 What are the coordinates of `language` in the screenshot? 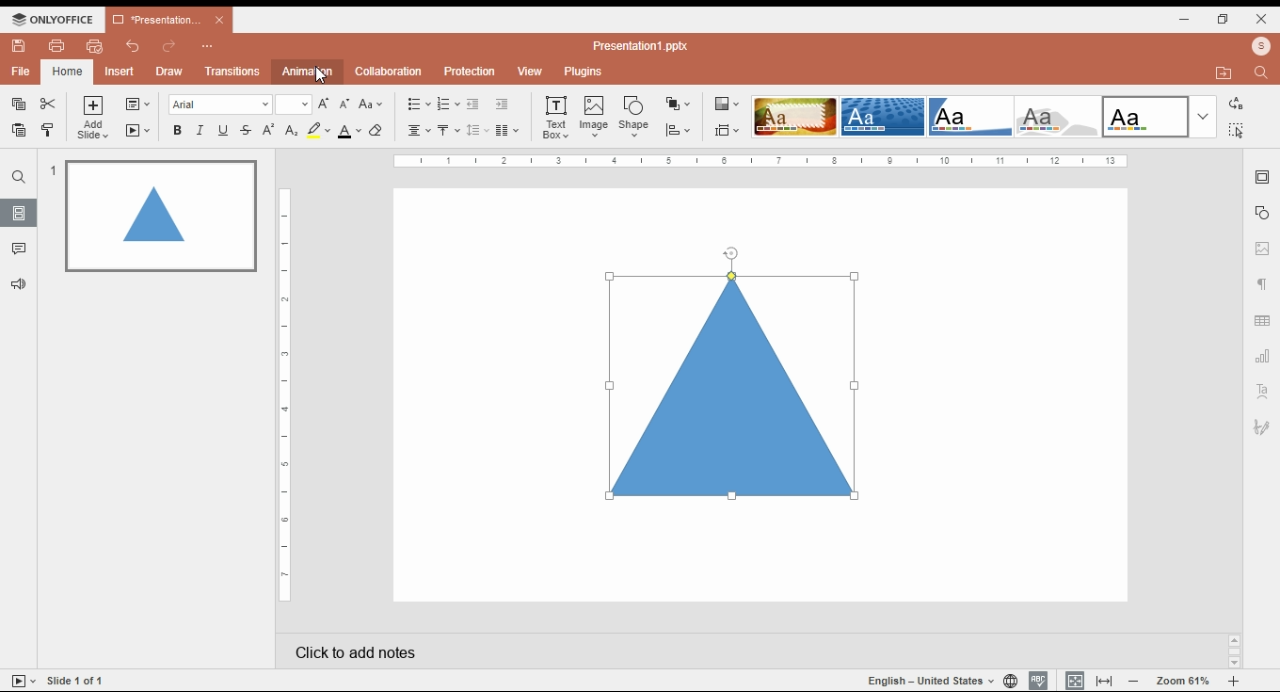 It's located at (933, 679).